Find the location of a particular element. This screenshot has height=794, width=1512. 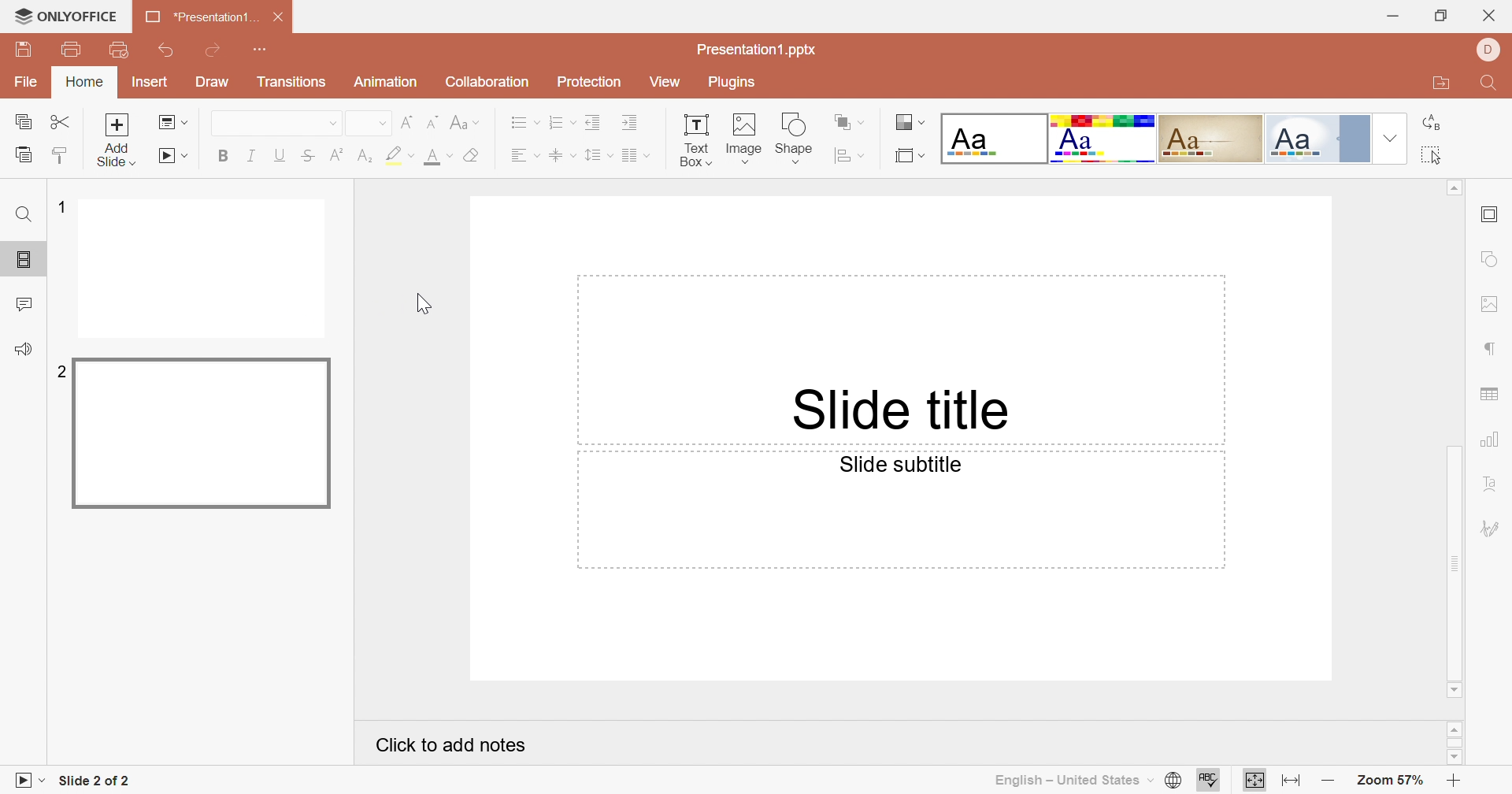

Image is located at coordinates (744, 136).